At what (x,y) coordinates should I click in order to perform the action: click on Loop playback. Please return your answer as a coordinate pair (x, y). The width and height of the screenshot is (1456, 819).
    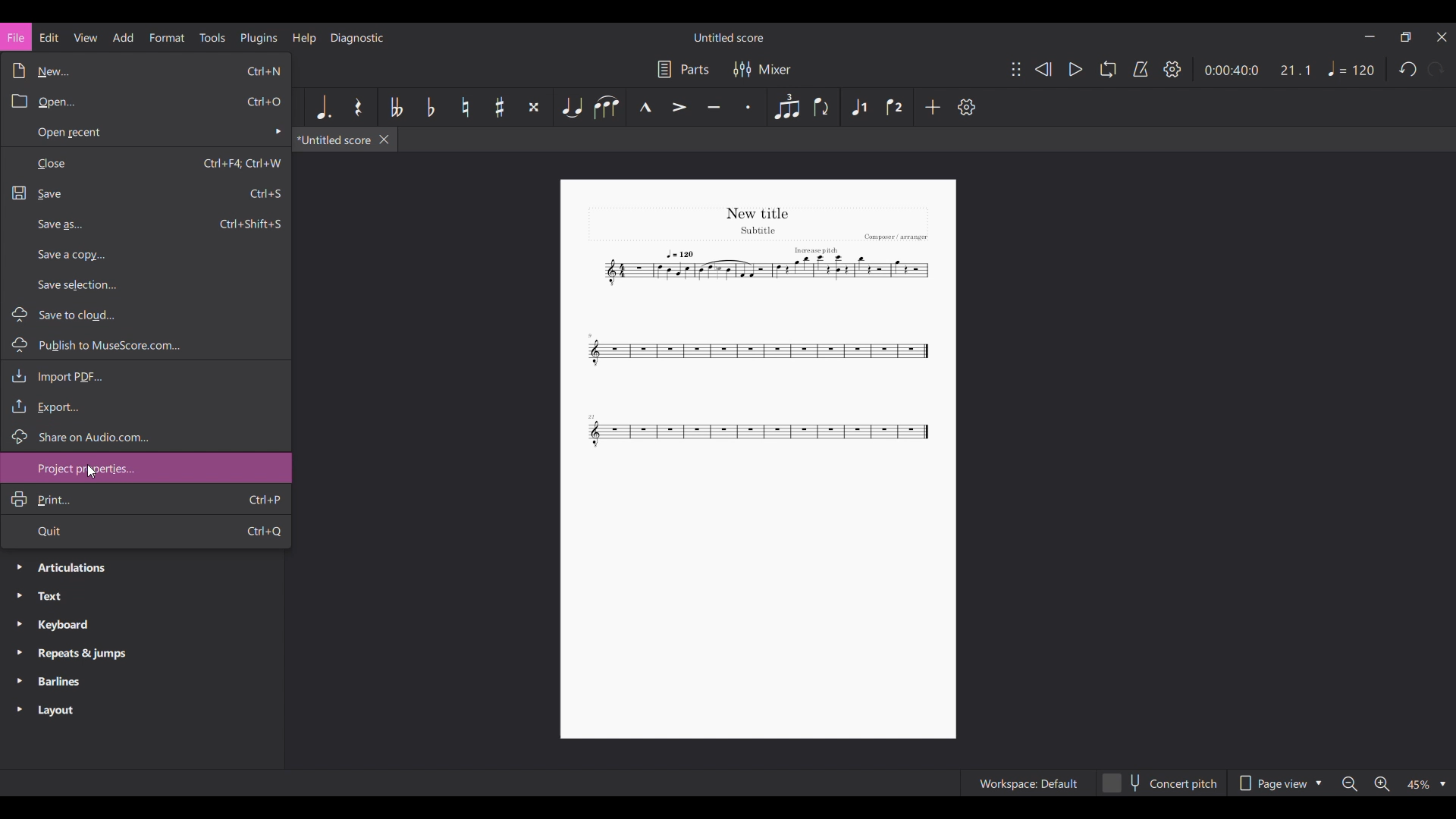
    Looking at the image, I should click on (1109, 69).